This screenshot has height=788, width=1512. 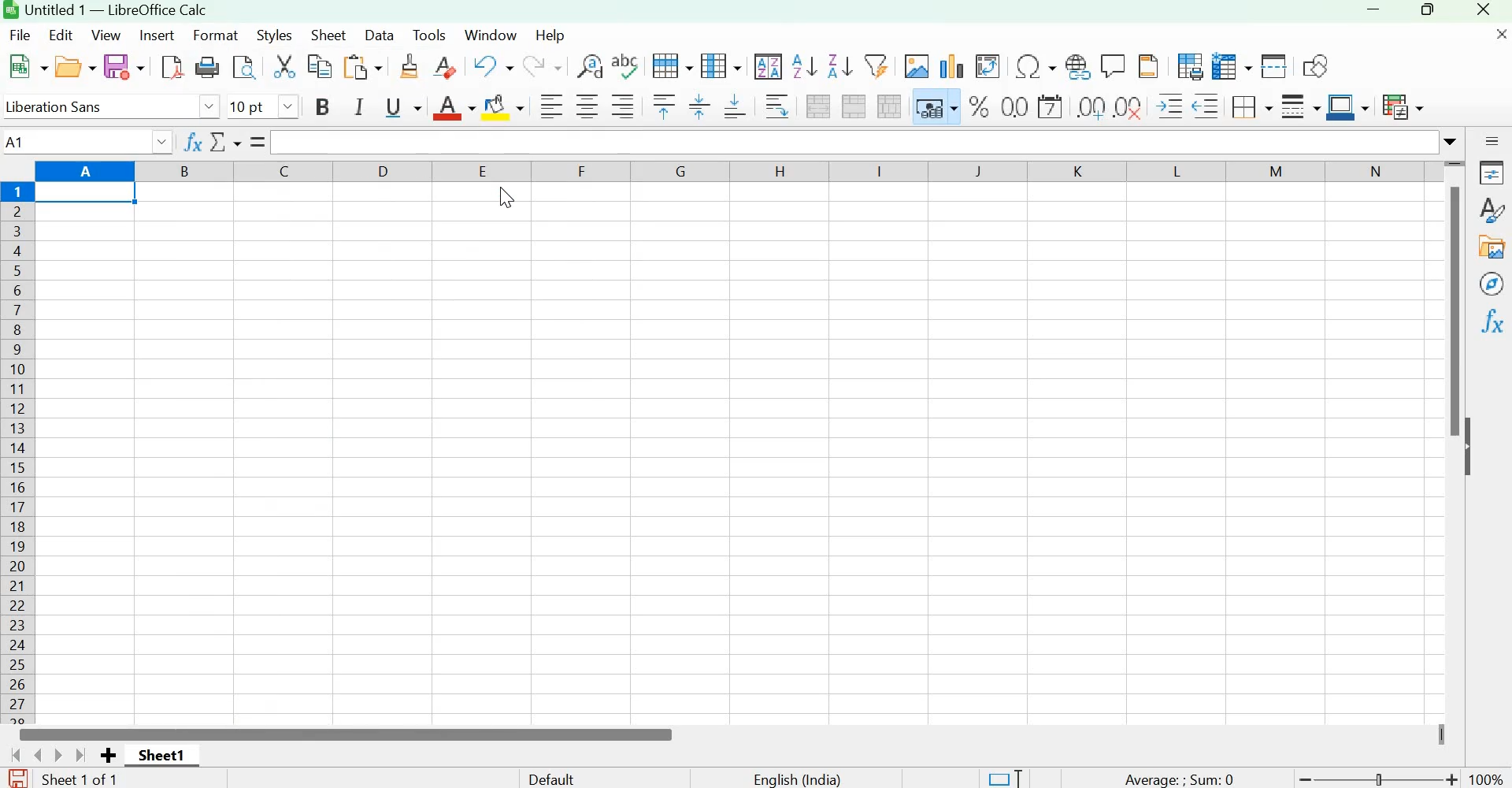 I want to click on Format as currency, so click(x=934, y=106).